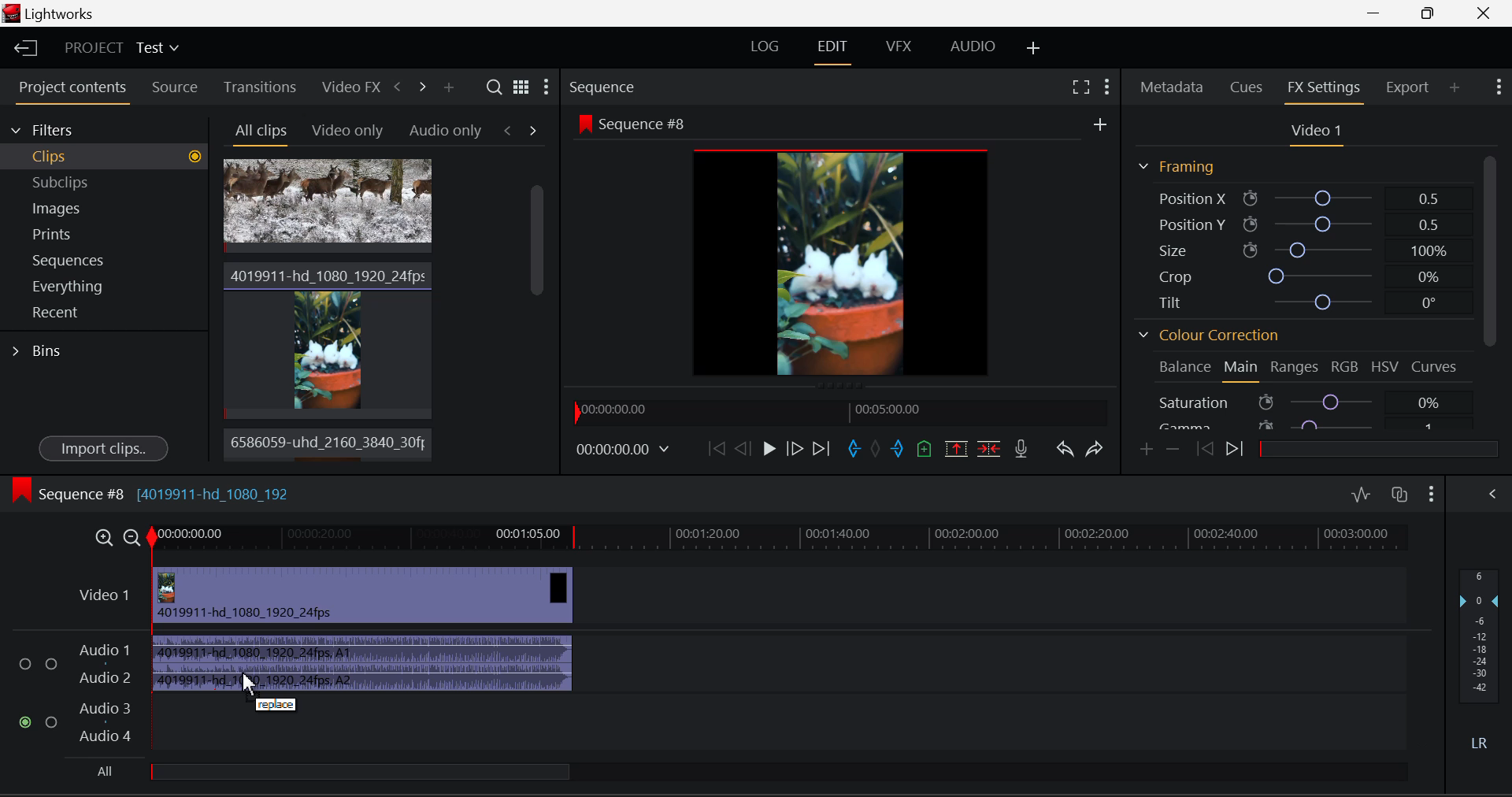 This screenshot has width=1512, height=797. What do you see at coordinates (1294, 367) in the screenshot?
I see `Ranges` at bounding box center [1294, 367].